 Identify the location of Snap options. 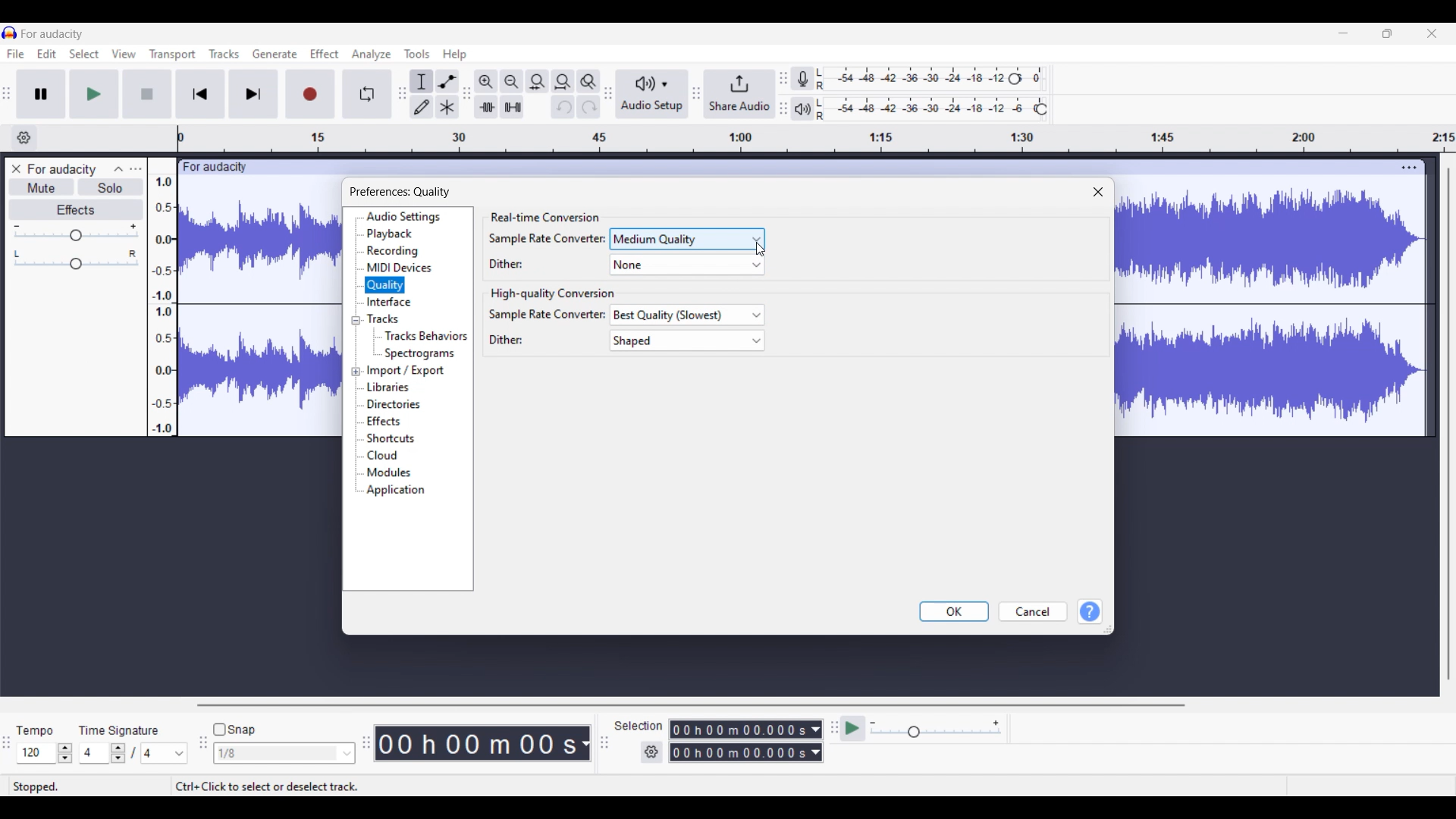
(285, 753).